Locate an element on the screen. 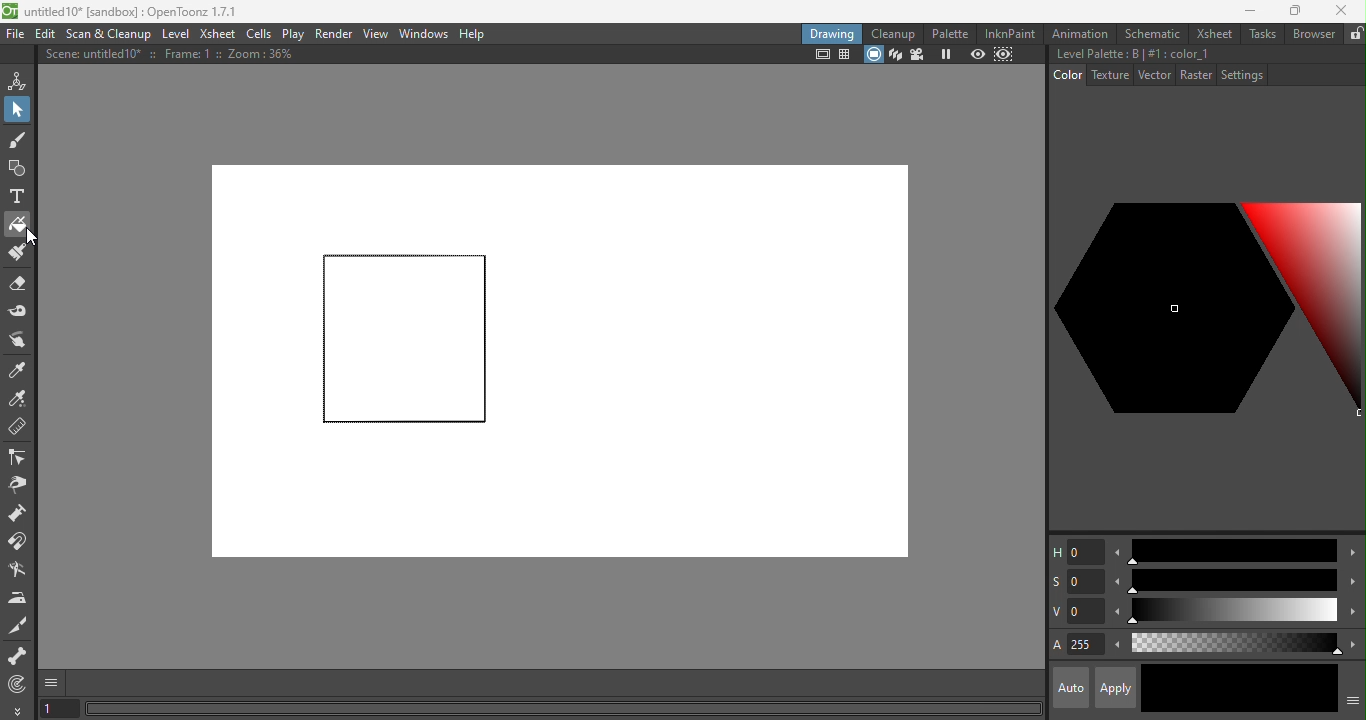 Image resolution: width=1366 pixels, height=720 pixels. Animate tool is located at coordinates (20, 80).